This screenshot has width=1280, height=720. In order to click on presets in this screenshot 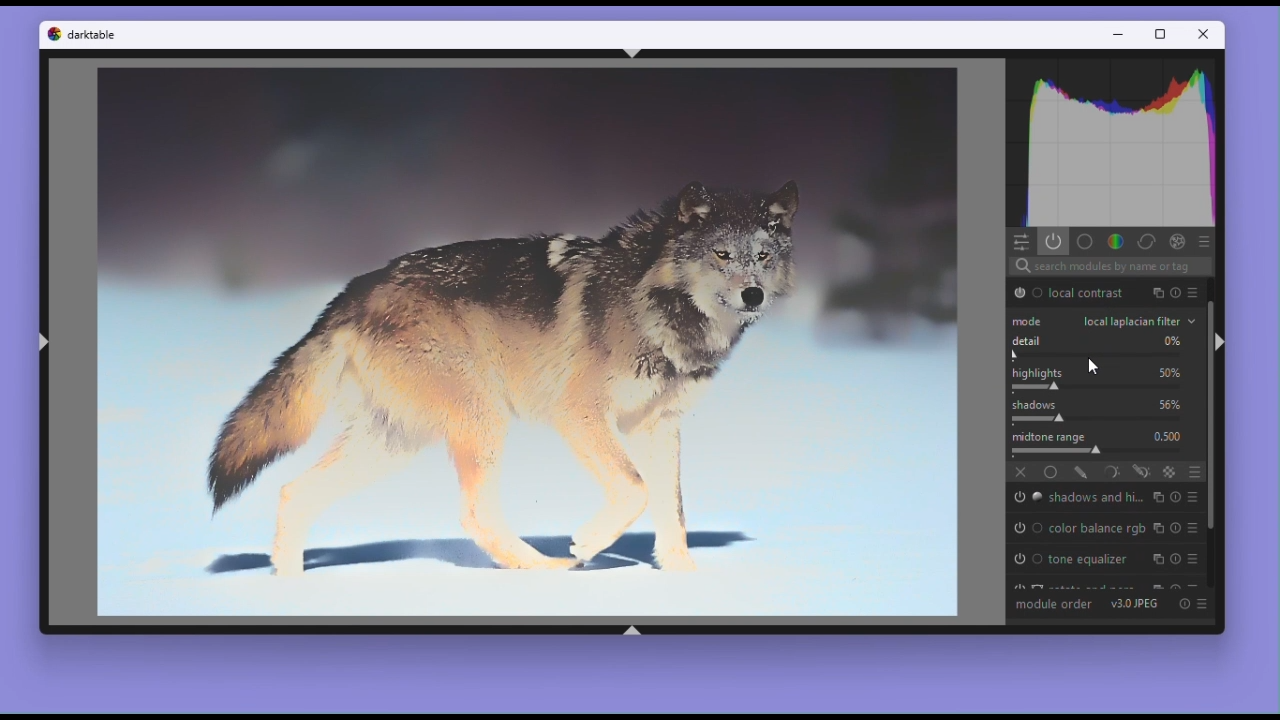, I will do `click(1196, 497)`.